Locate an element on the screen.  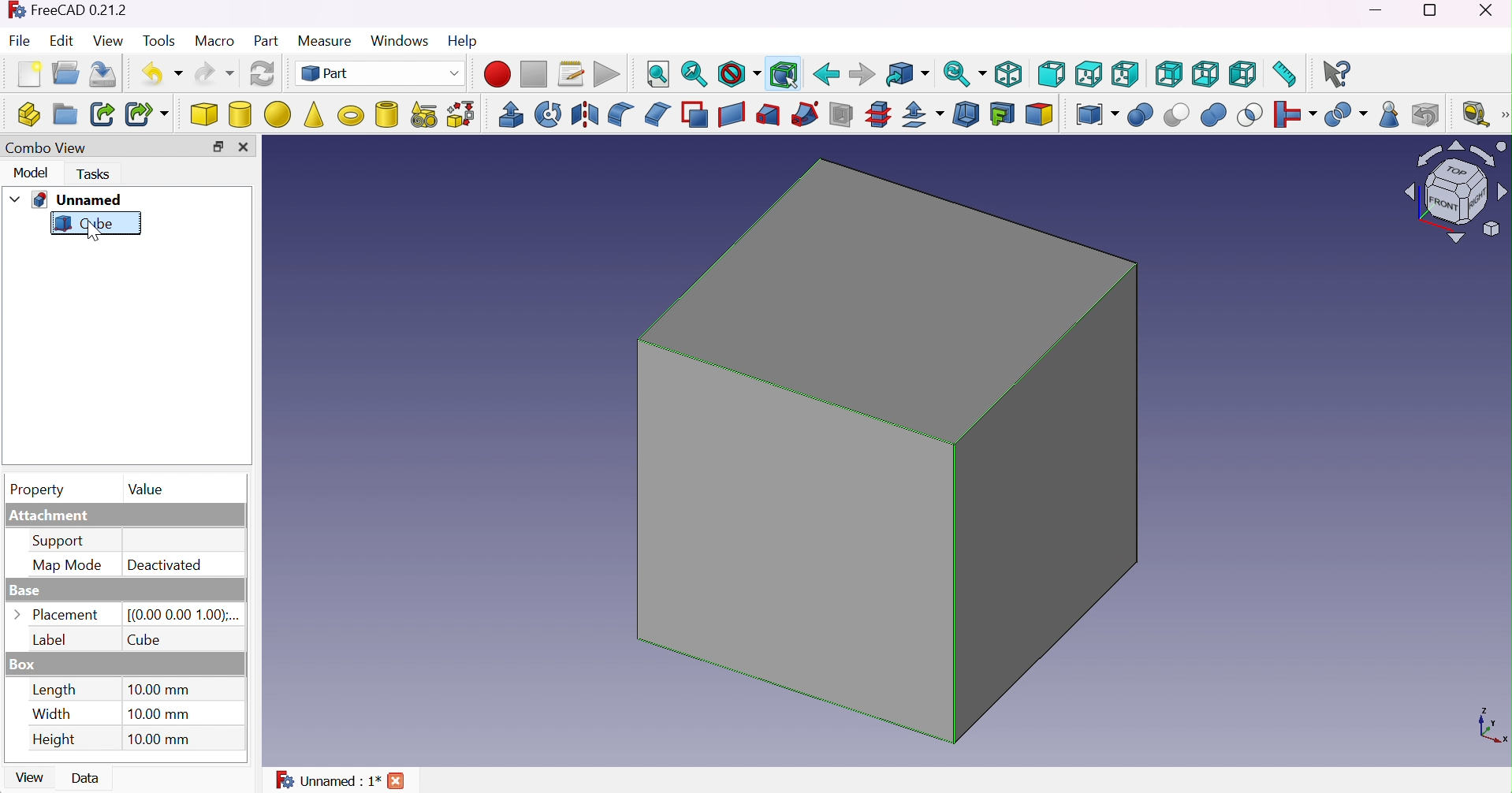
Cone is located at coordinates (316, 114).